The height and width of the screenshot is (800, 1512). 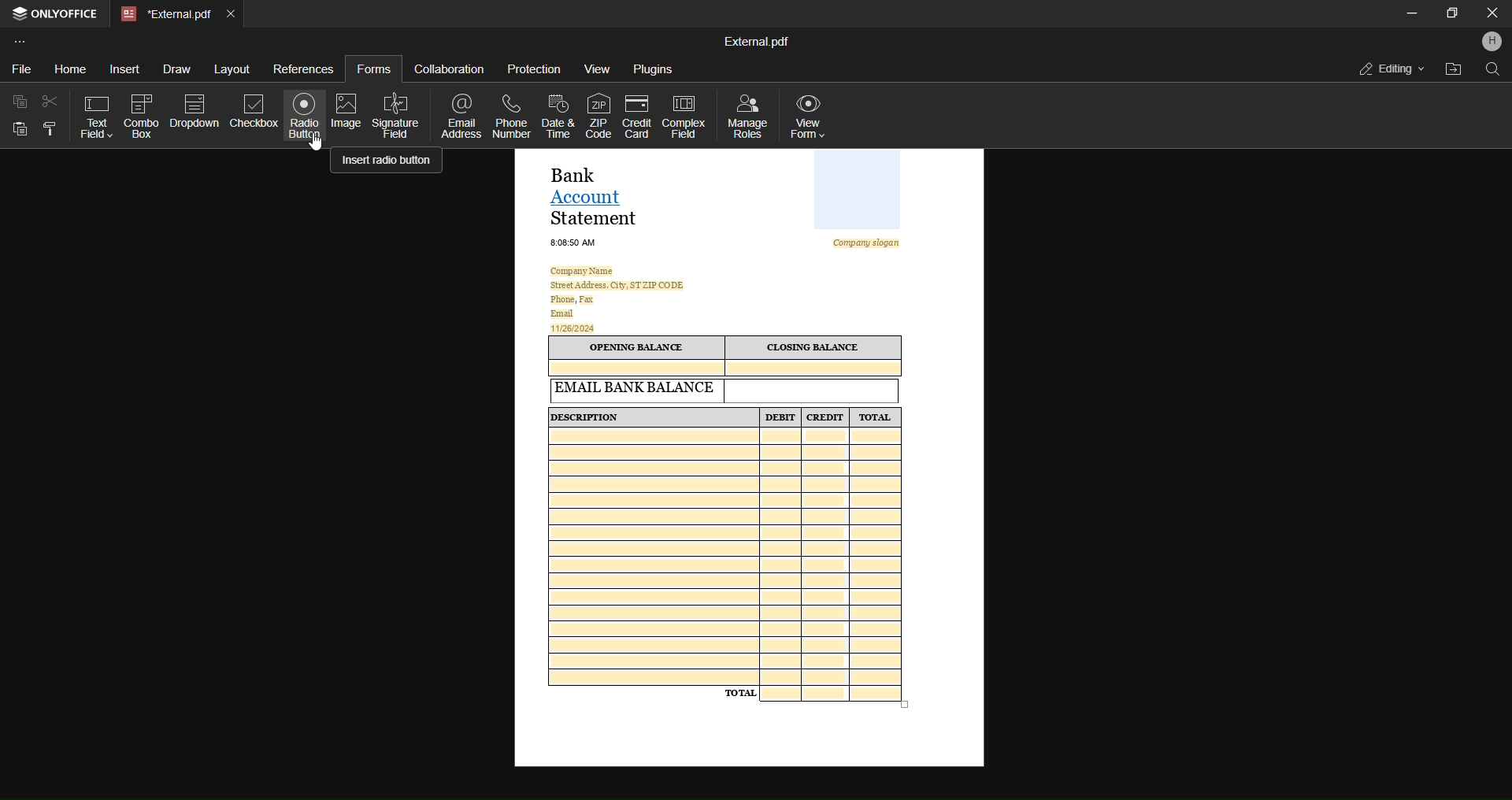 What do you see at coordinates (52, 102) in the screenshot?
I see `cut` at bounding box center [52, 102].